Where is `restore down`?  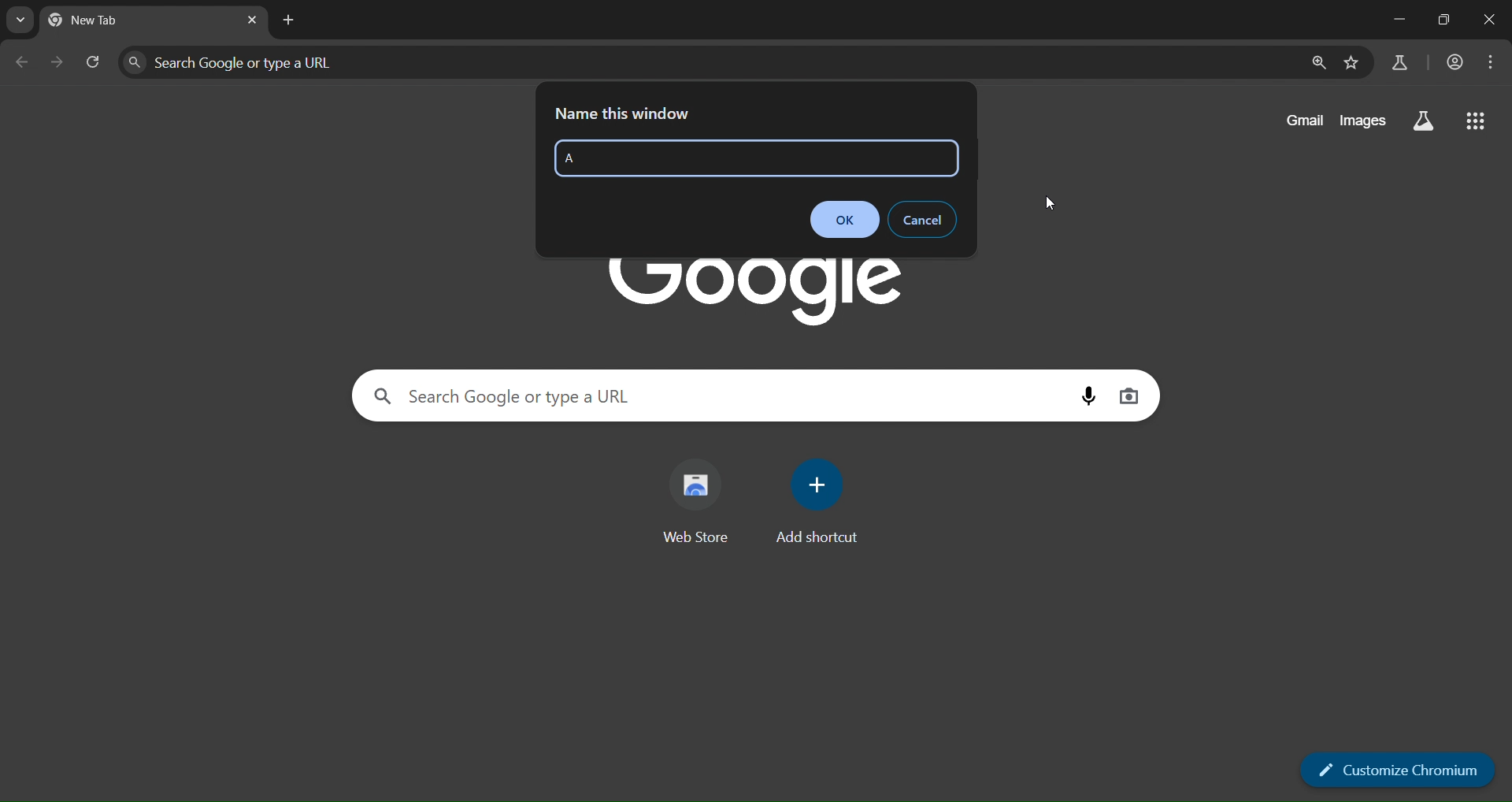
restore down is located at coordinates (1448, 21).